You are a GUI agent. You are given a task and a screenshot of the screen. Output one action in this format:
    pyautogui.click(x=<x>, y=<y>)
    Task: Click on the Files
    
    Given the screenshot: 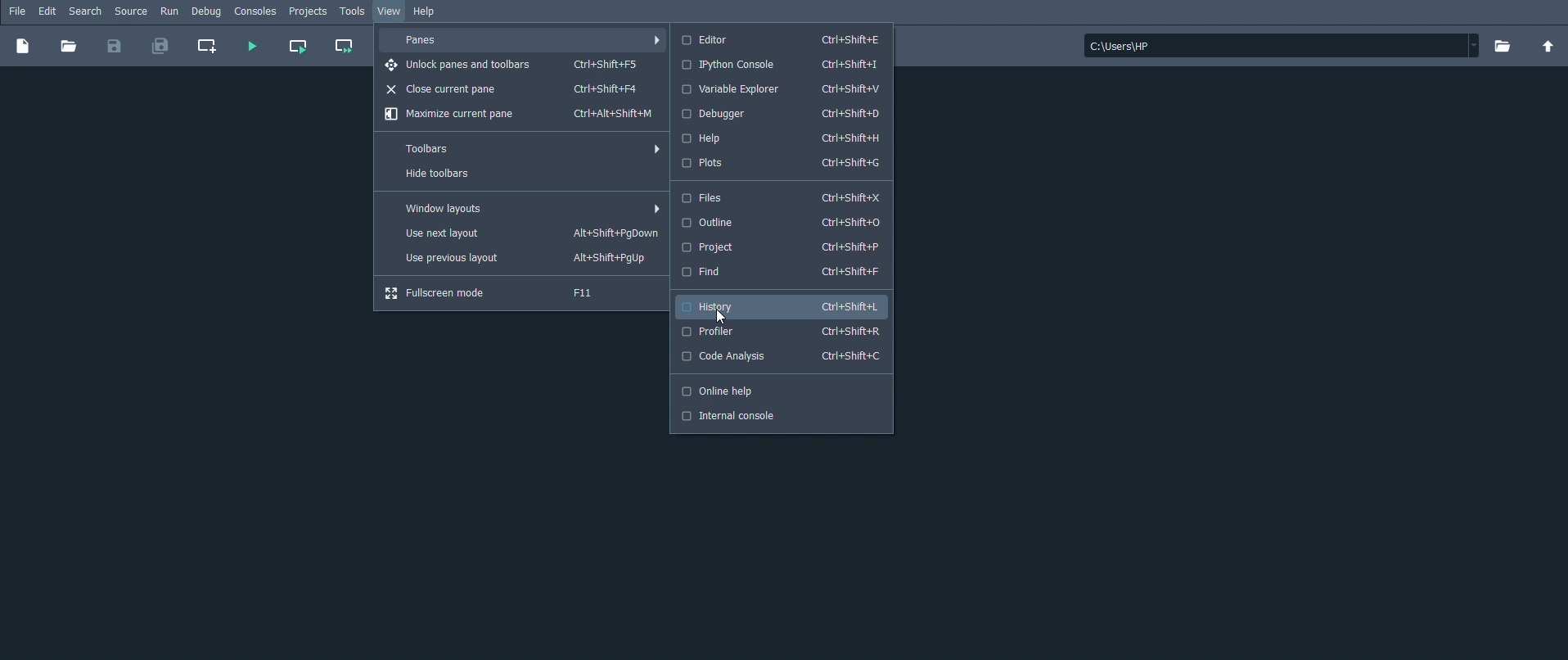 What is the action you would take?
    pyautogui.click(x=786, y=197)
    